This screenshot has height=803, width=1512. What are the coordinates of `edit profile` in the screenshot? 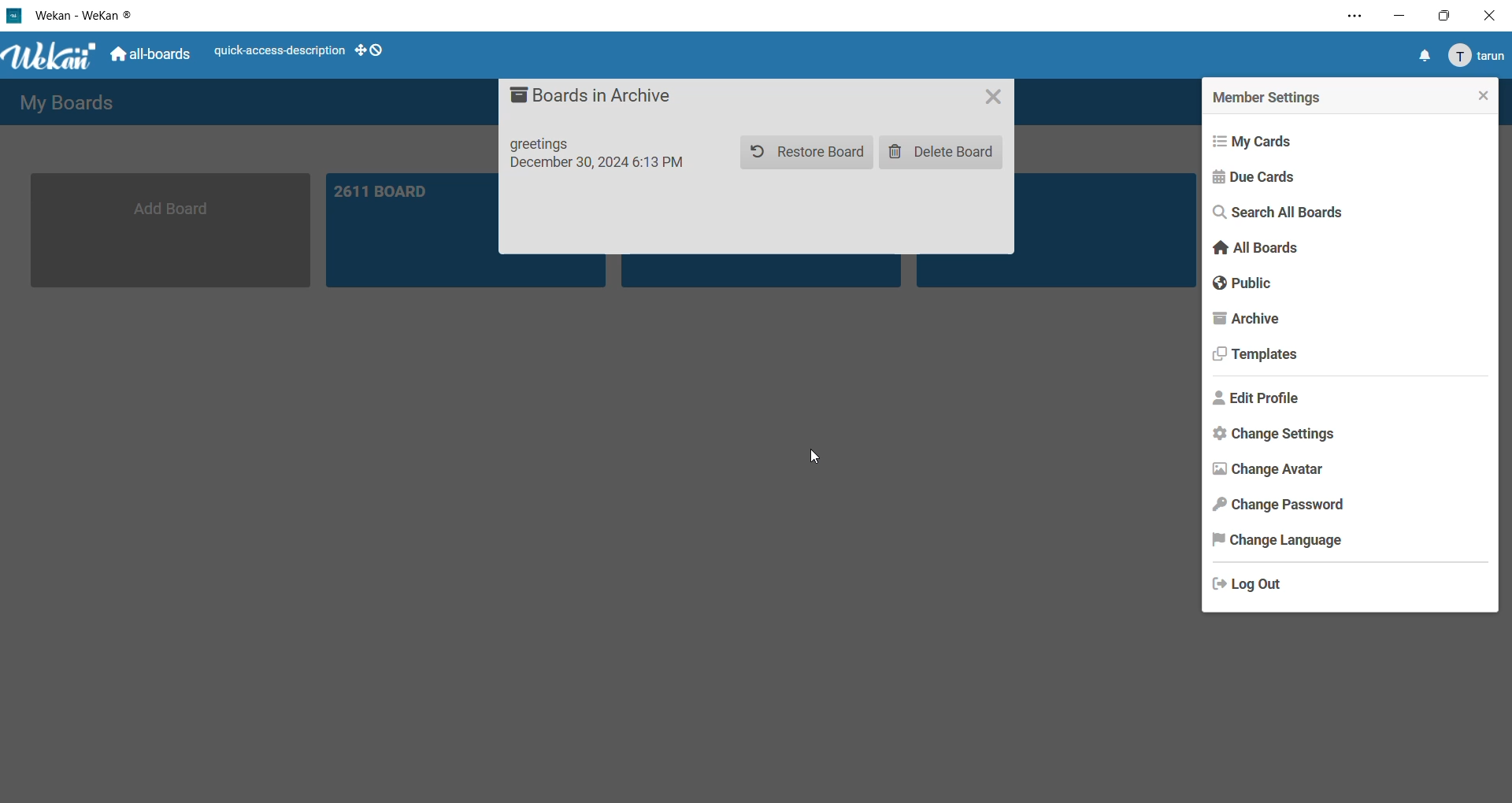 It's located at (1257, 402).